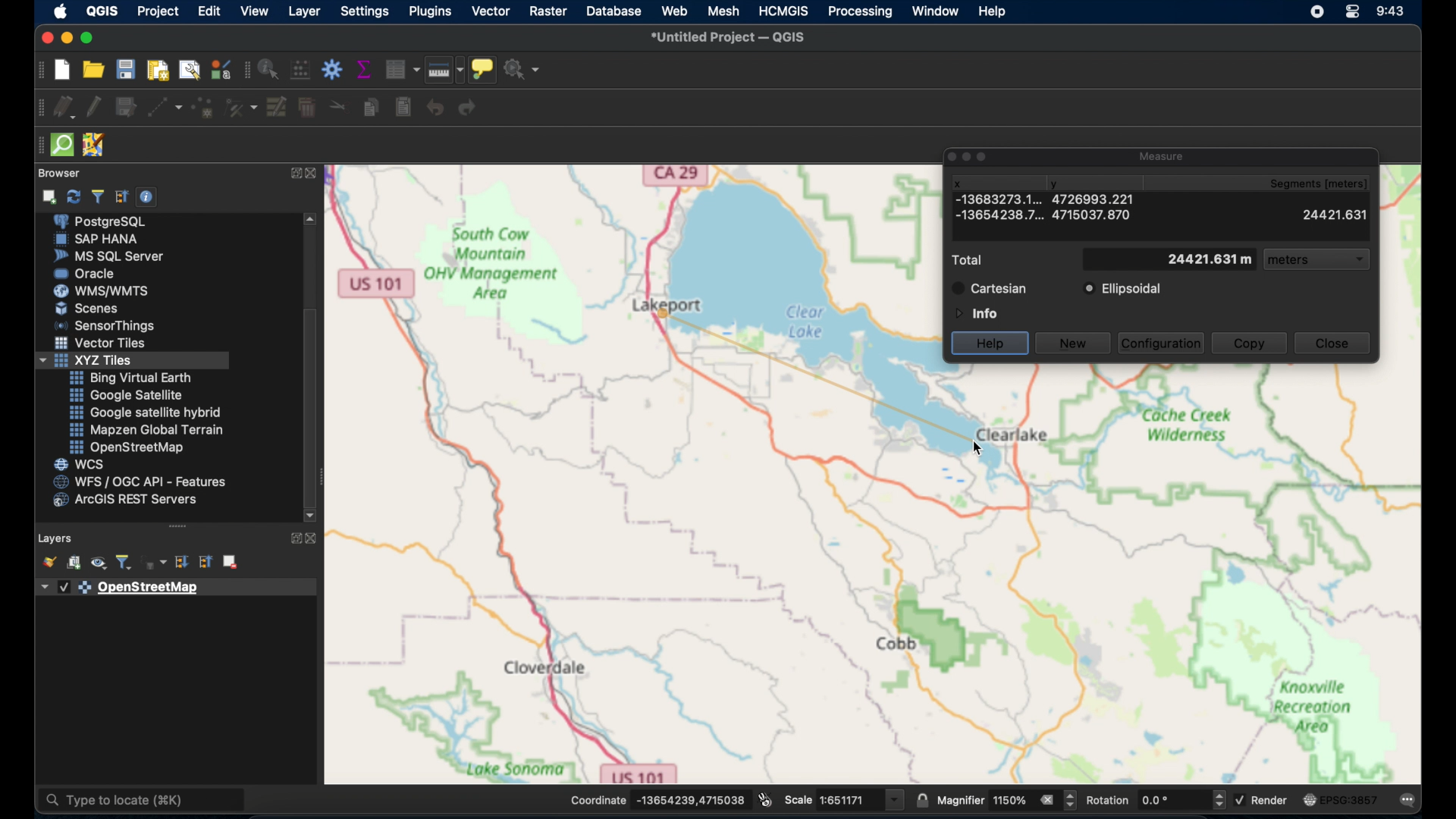 This screenshot has width=1456, height=819. Describe the element at coordinates (245, 71) in the screenshot. I see `attributes. toolbar` at that location.